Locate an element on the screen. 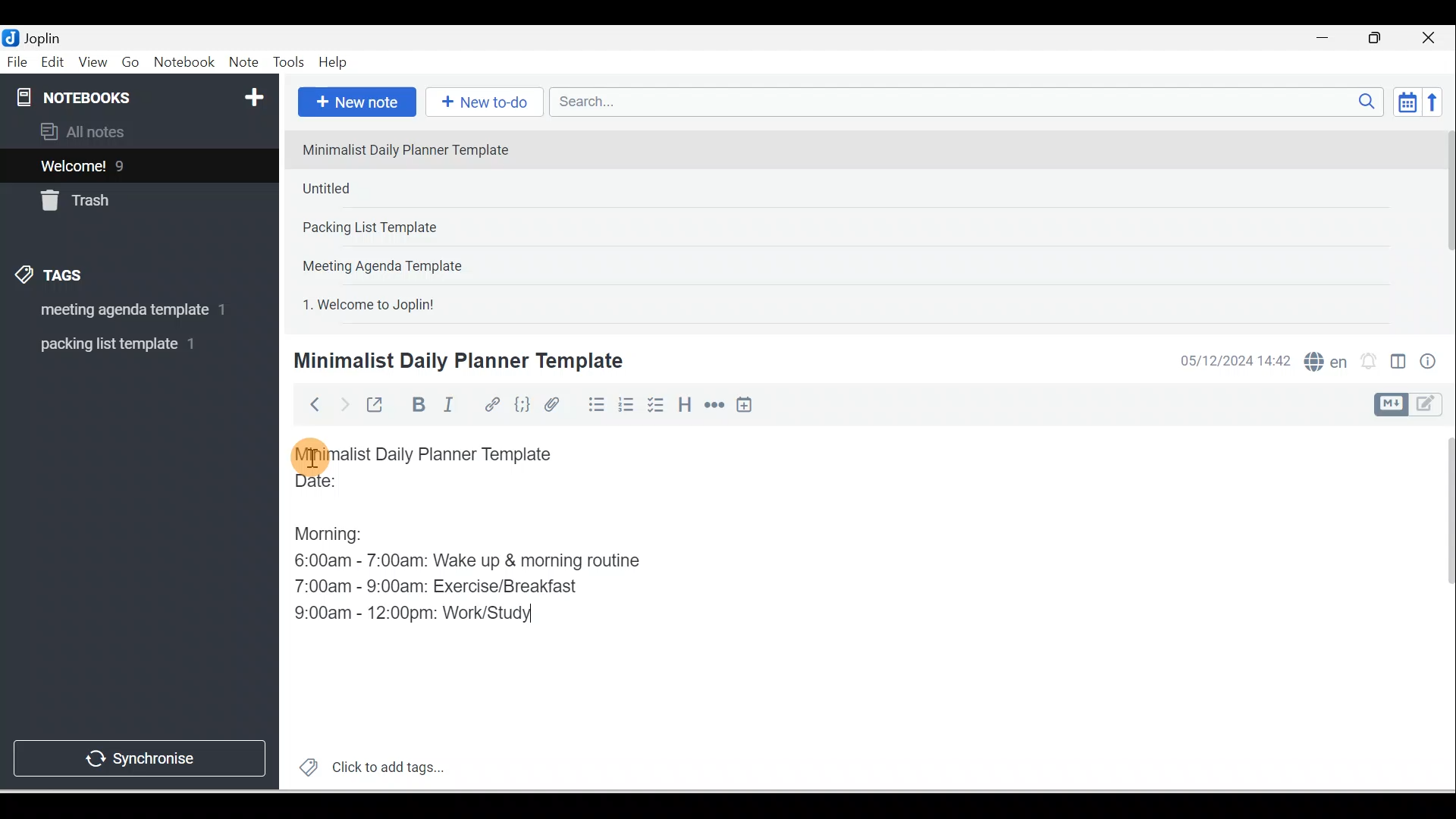  Scroll bar is located at coordinates (1444, 224).